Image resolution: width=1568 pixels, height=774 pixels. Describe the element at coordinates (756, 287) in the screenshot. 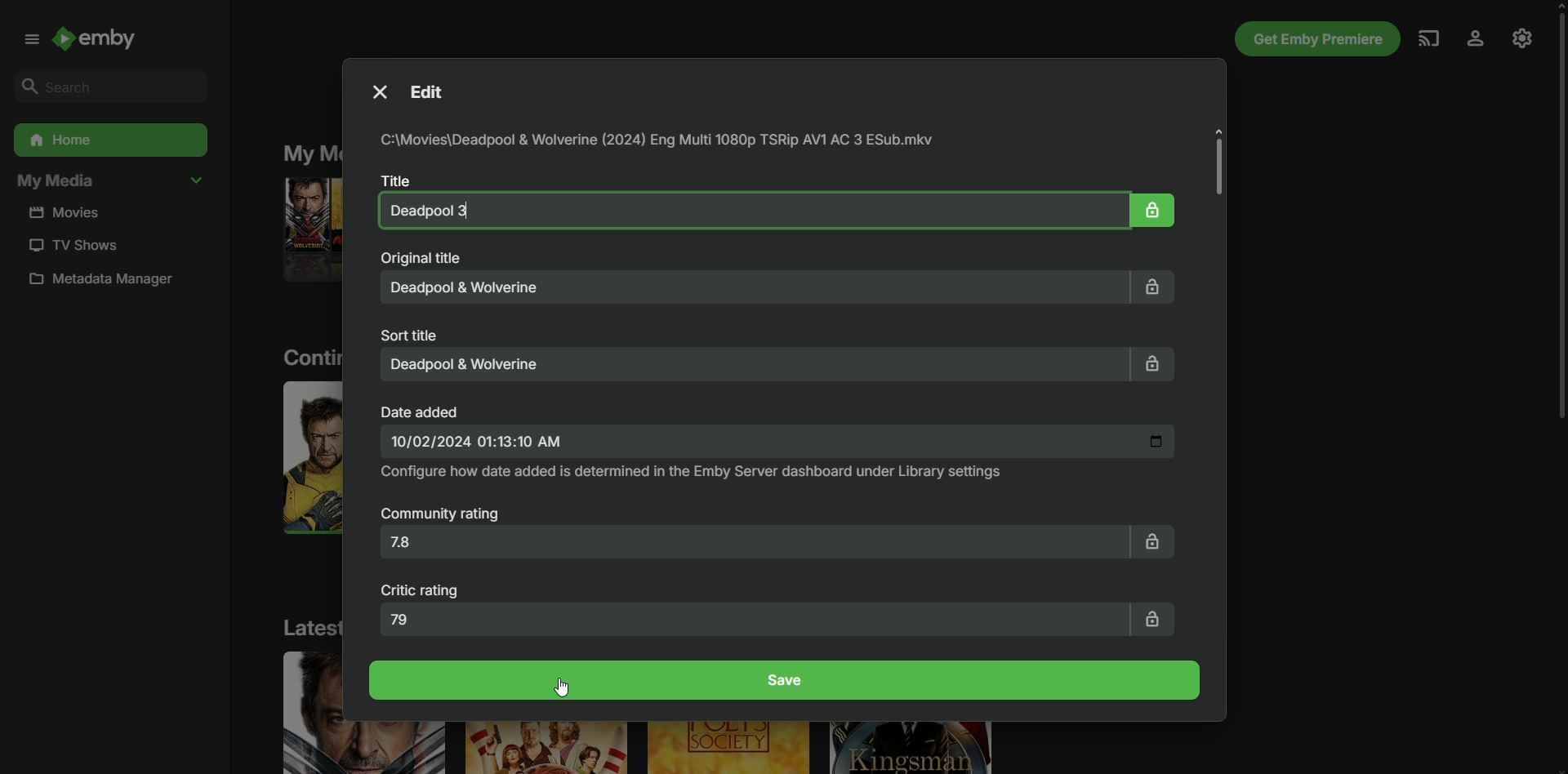

I see `Deadpool and Wolverine` at that location.